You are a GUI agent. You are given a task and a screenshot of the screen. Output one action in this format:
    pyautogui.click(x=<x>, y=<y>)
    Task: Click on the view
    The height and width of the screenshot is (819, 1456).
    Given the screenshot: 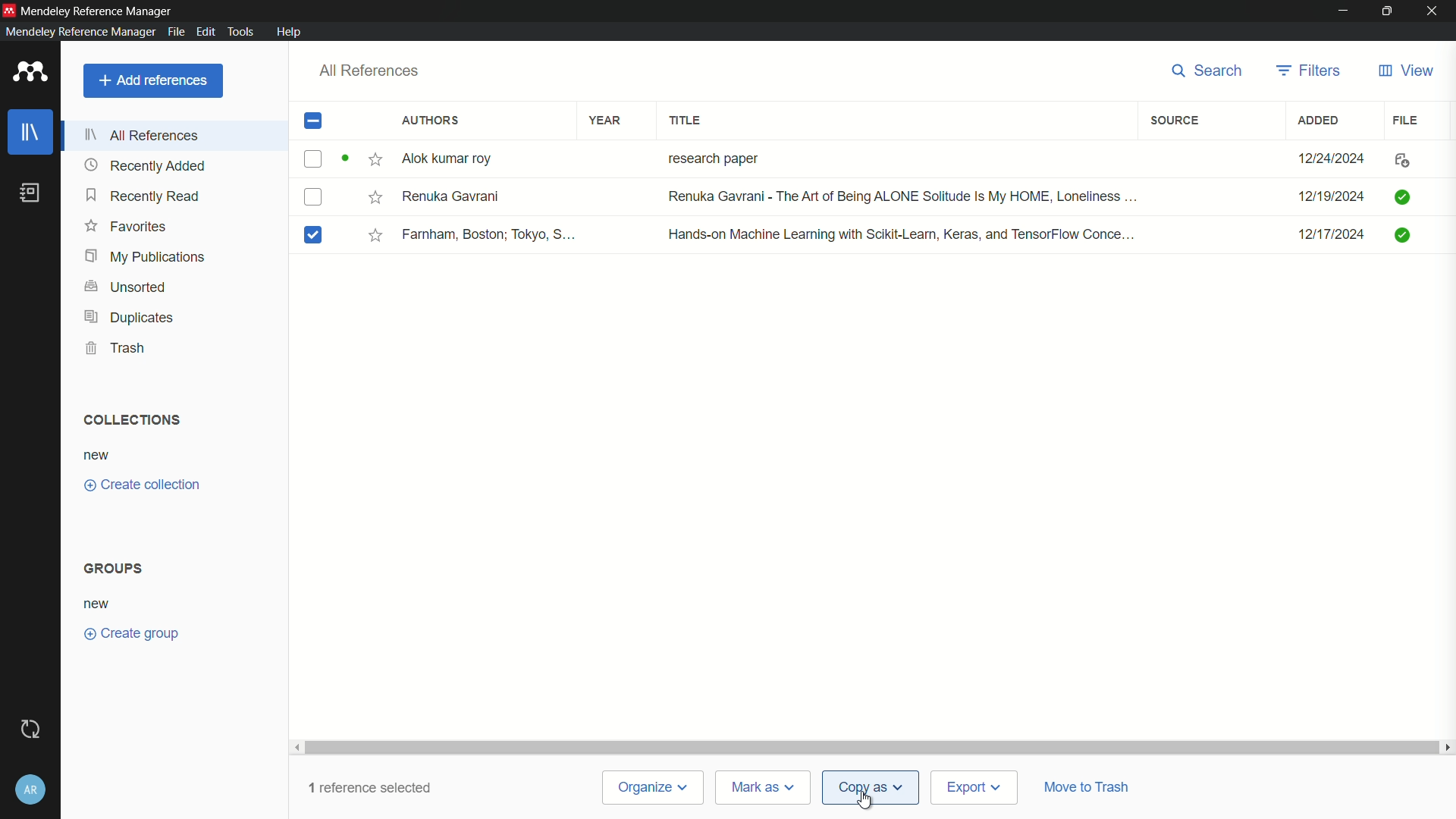 What is the action you would take?
    pyautogui.click(x=1405, y=71)
    